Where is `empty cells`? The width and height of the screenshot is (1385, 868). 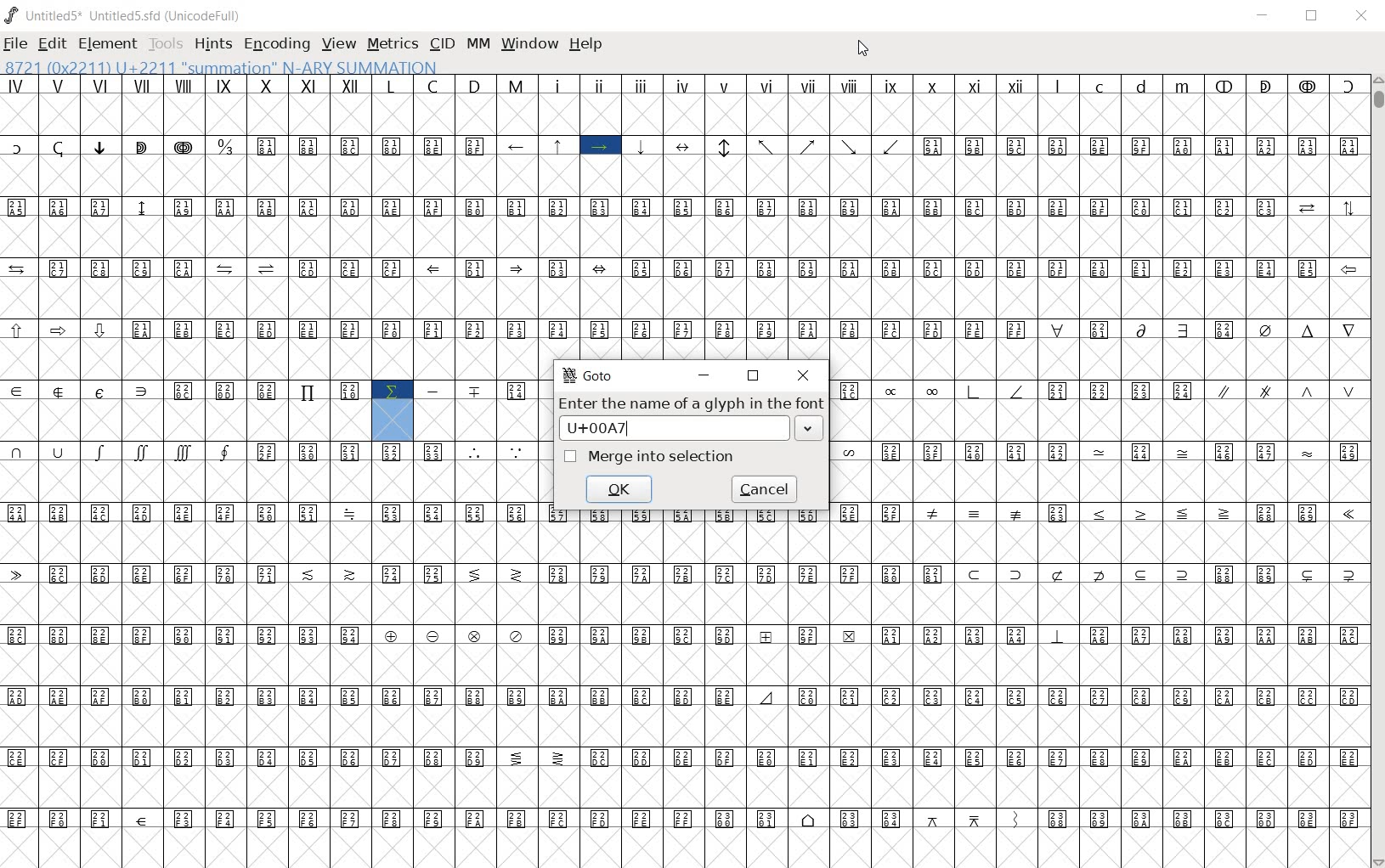
empty cells is located at coordinates (684, 541).